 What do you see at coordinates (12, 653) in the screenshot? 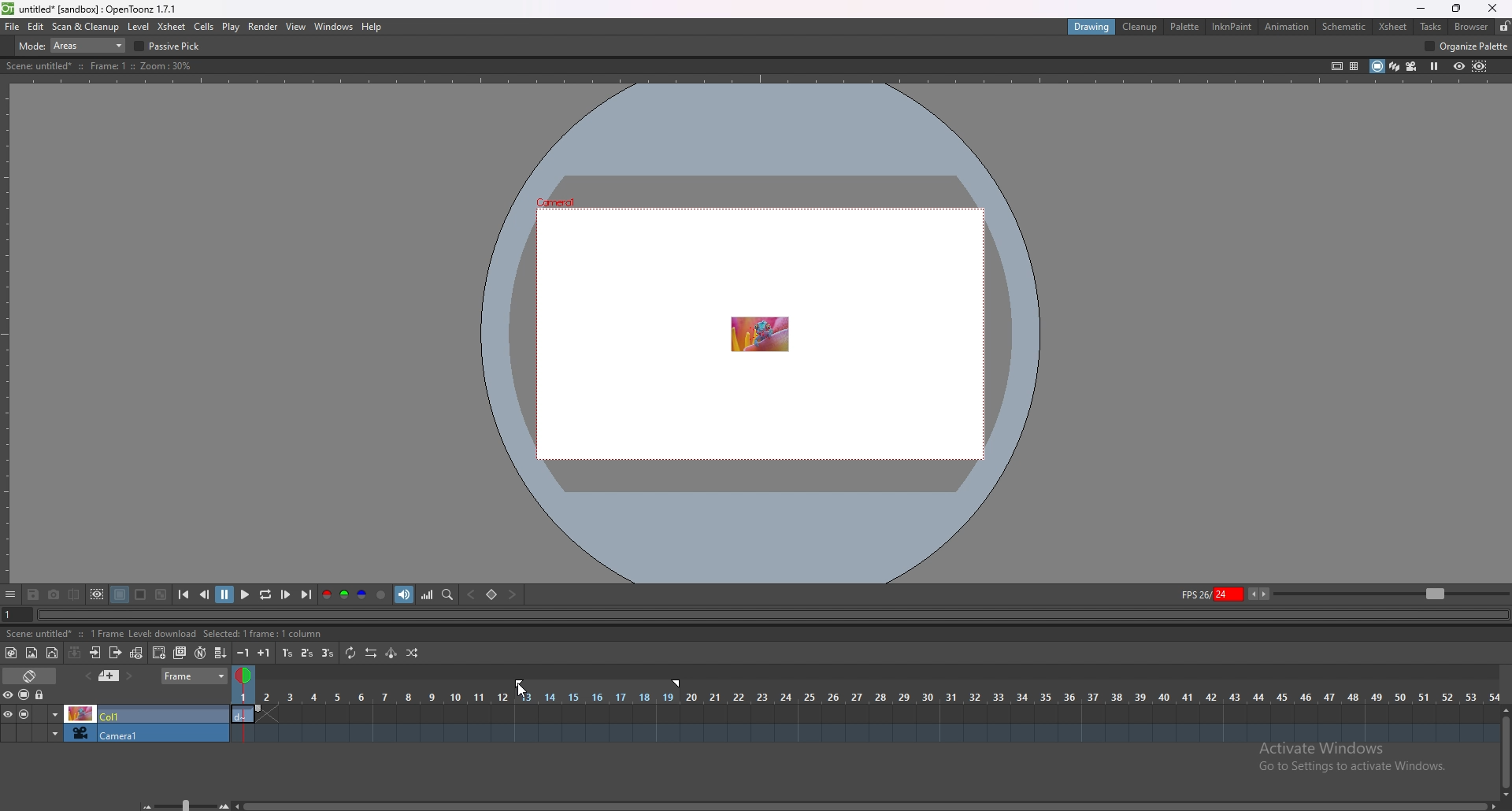
I see `new toonz raster level` at bounding box center [12, 653].